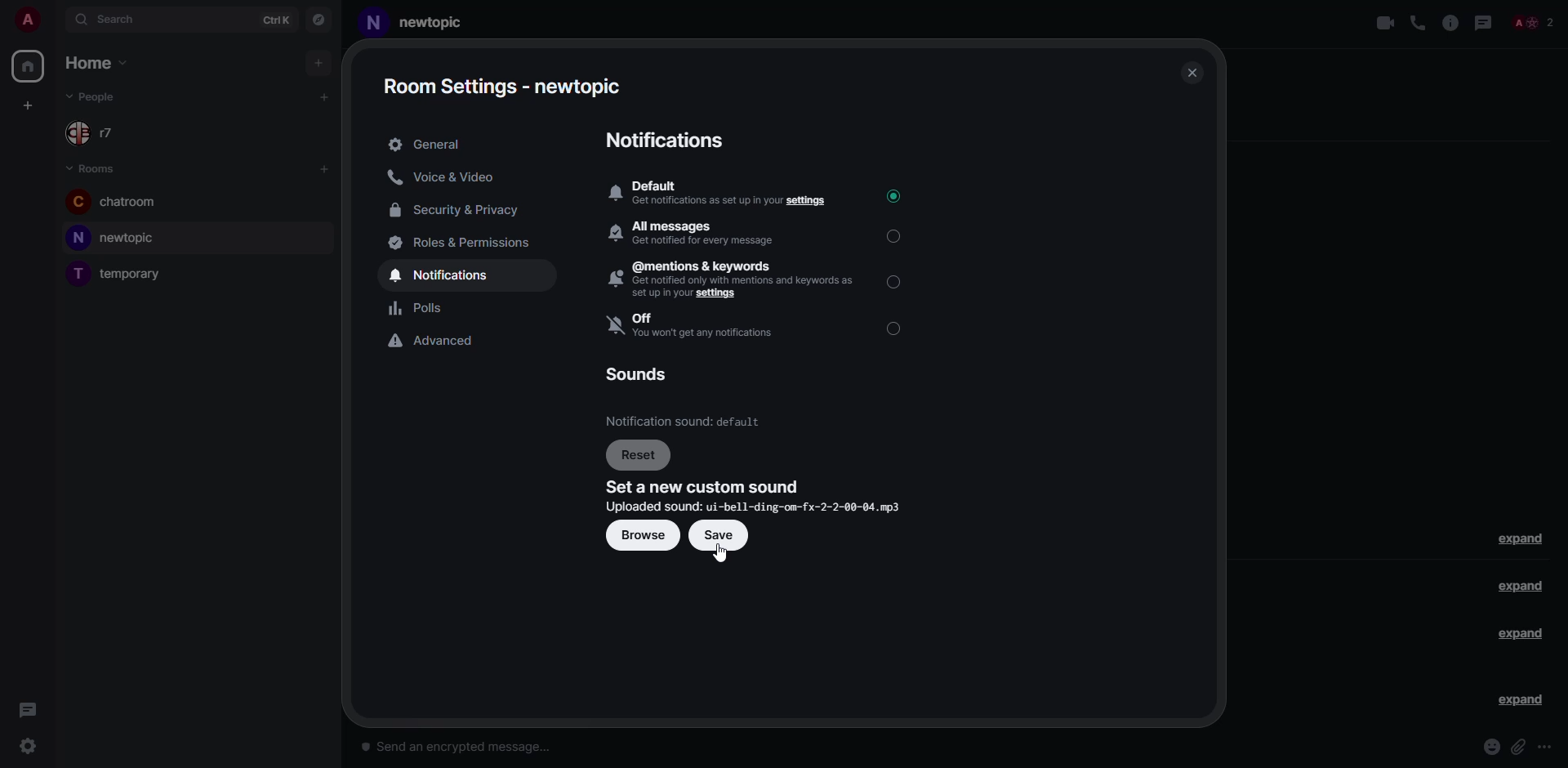 The height and width of the screenshot is (768, 1568). I want to click on settings, so click(501, 86).